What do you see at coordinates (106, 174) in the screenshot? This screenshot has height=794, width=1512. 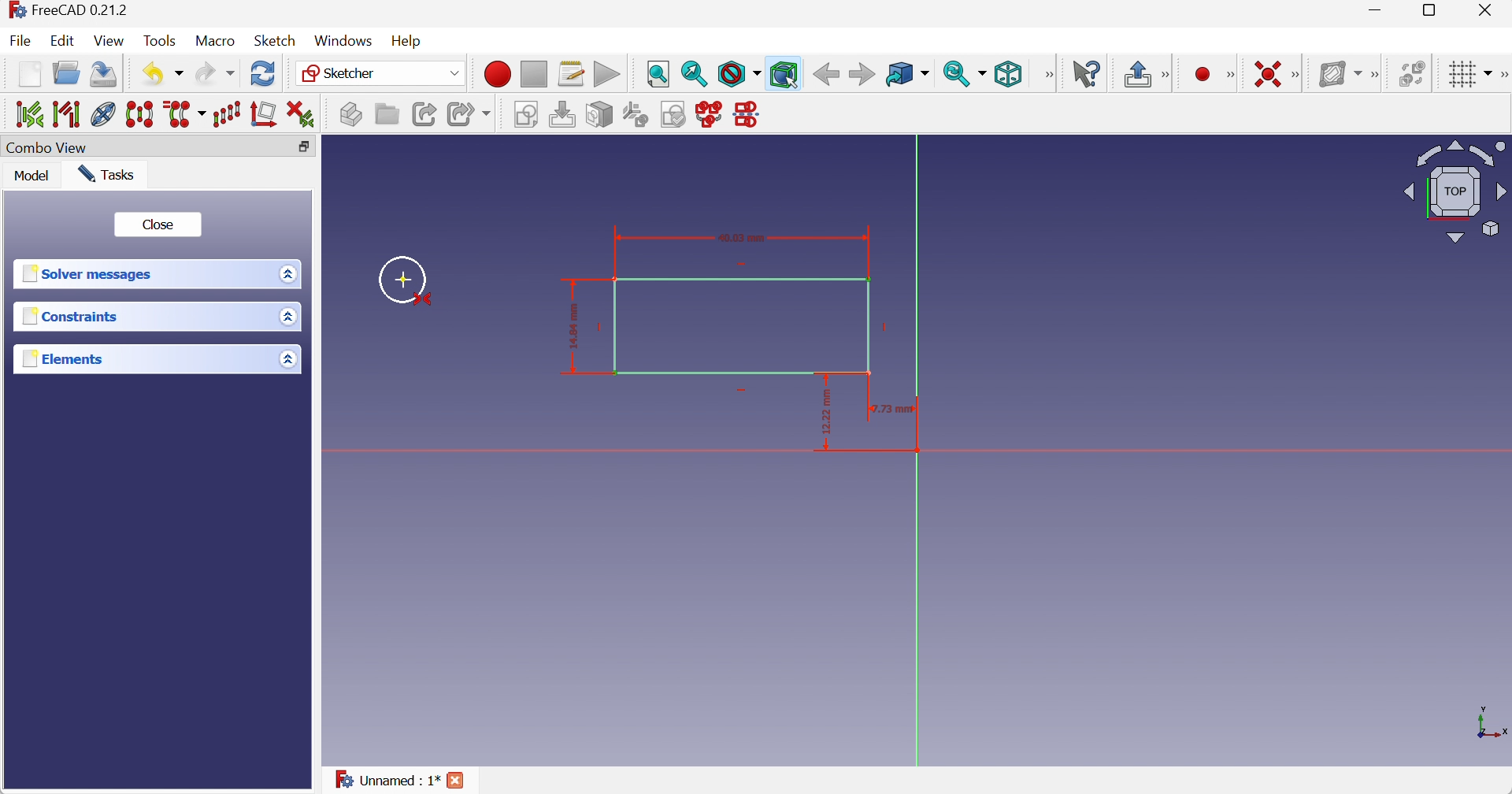 I see `Tasks` at bounding box center [106, 174].